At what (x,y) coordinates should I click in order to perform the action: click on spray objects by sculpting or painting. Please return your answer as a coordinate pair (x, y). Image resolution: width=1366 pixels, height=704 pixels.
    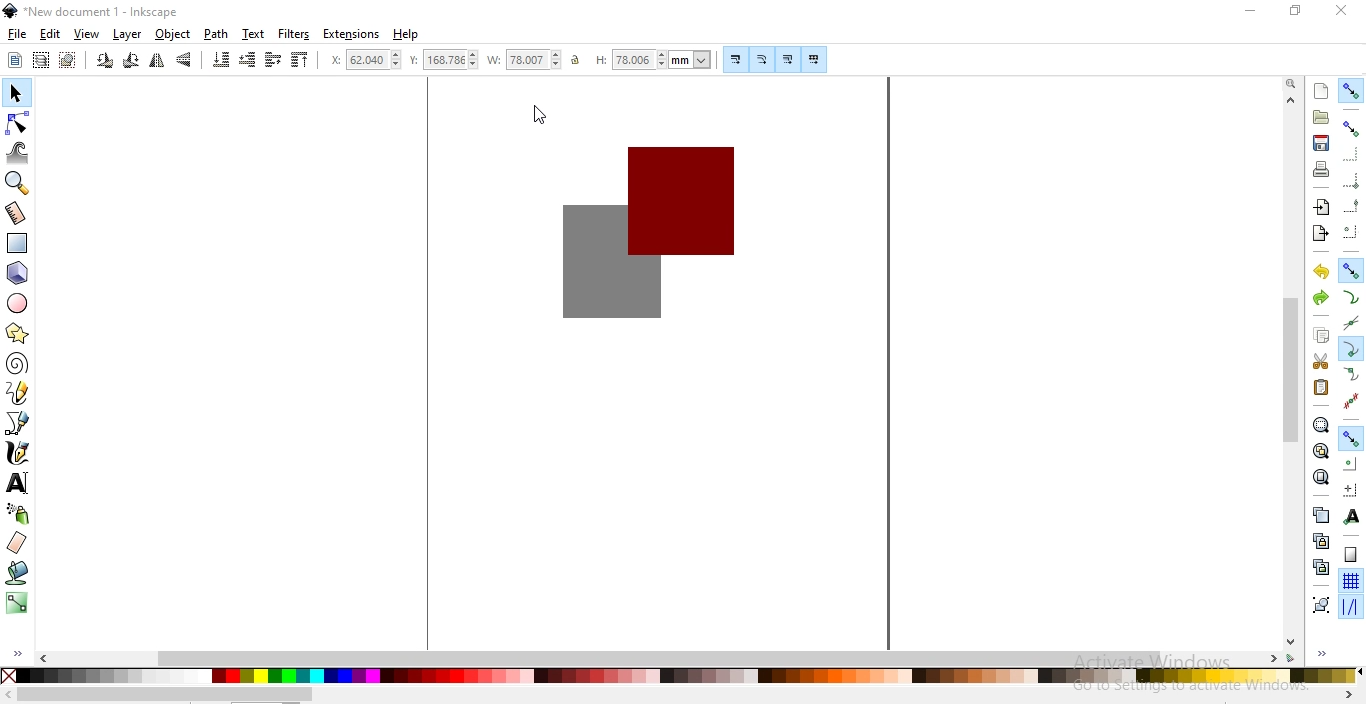
    Looking at the image, I should click on (18, 513).